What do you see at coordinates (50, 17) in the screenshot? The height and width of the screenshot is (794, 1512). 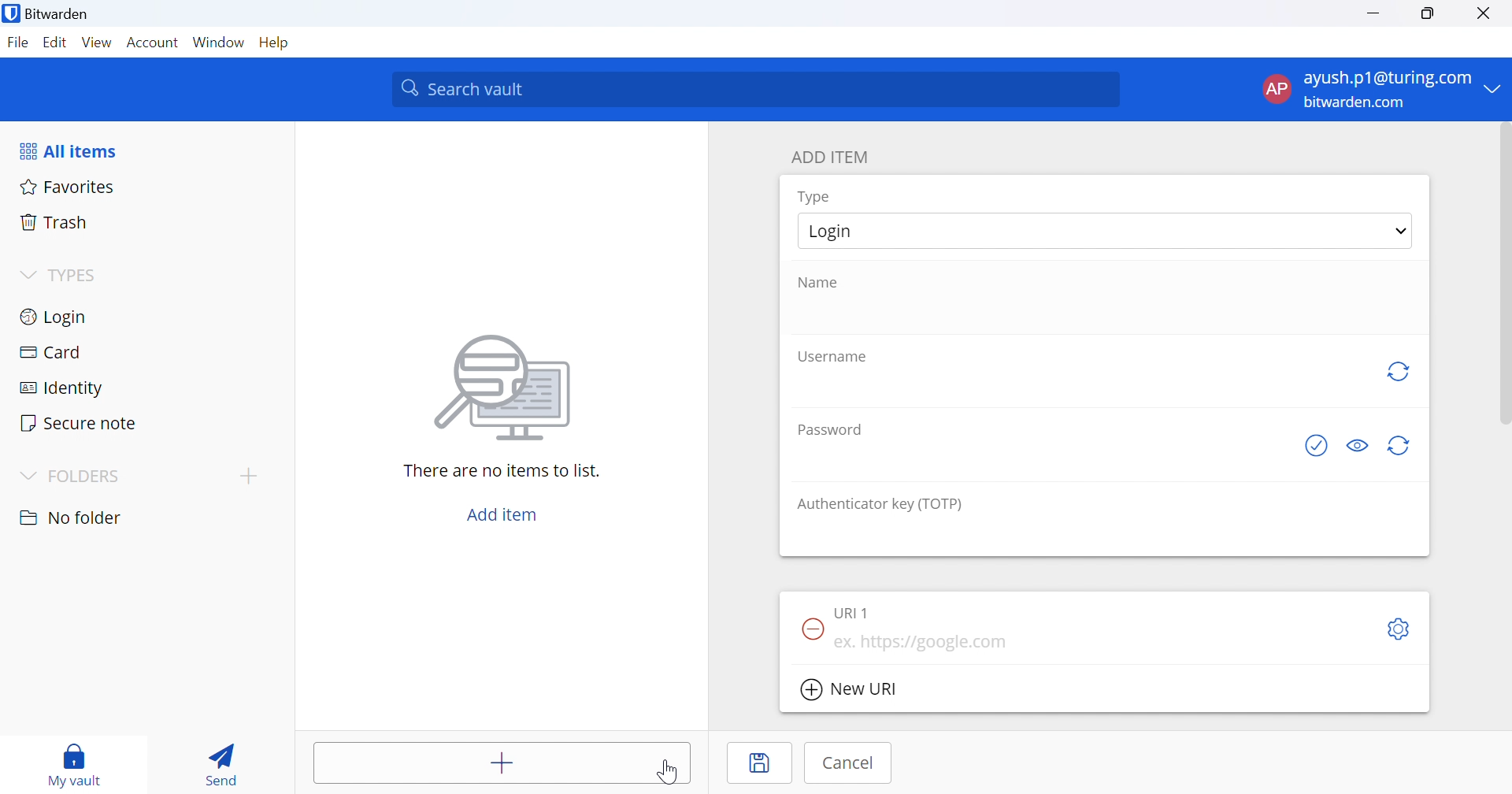 I see `Bitwarden` at bounding box center [50, 17].